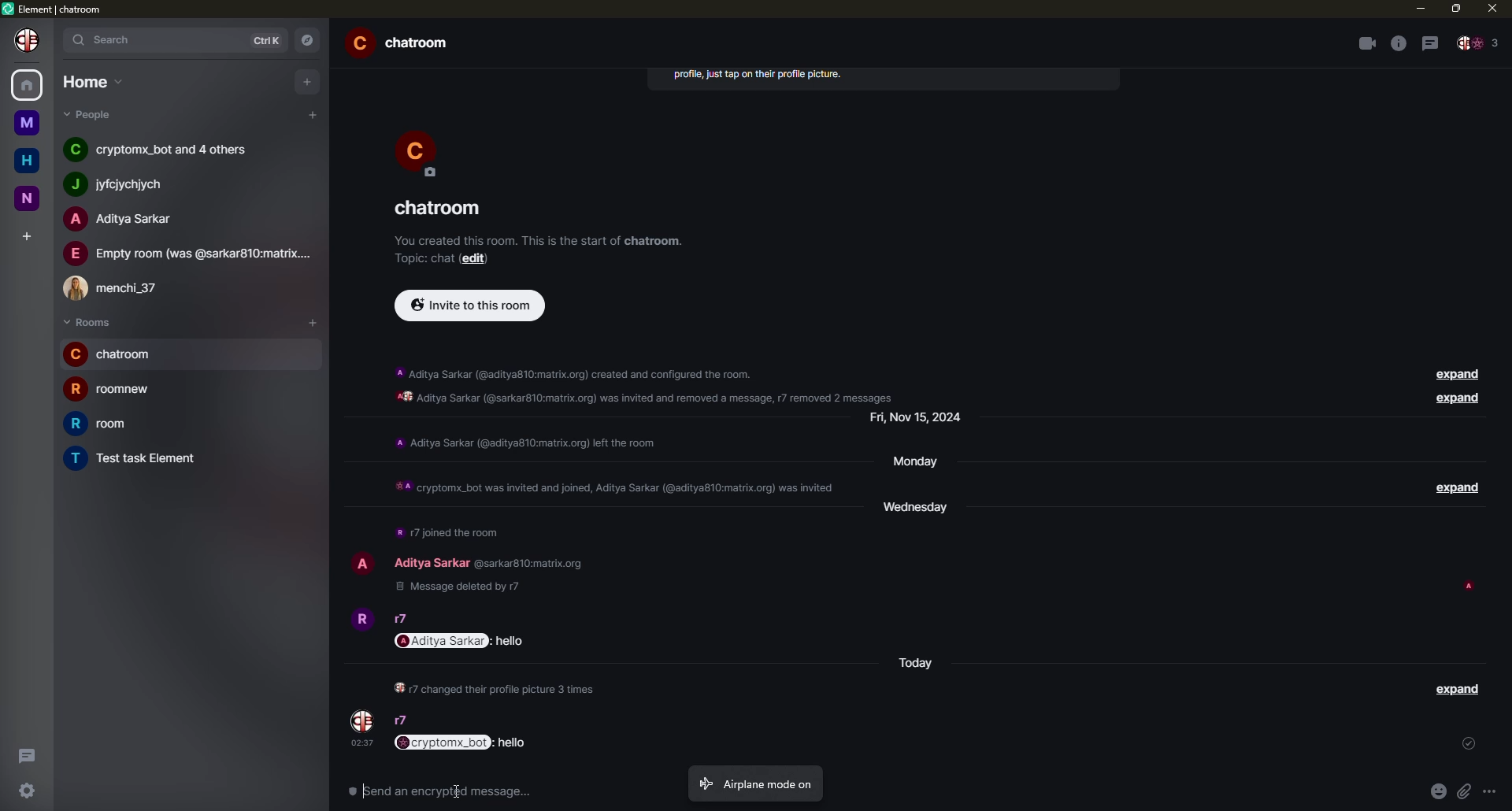 The height and width of the screenshot is (811, 1512). Describe the element at coordinates (187, 254) in the screenshot. I see `people` at that location.